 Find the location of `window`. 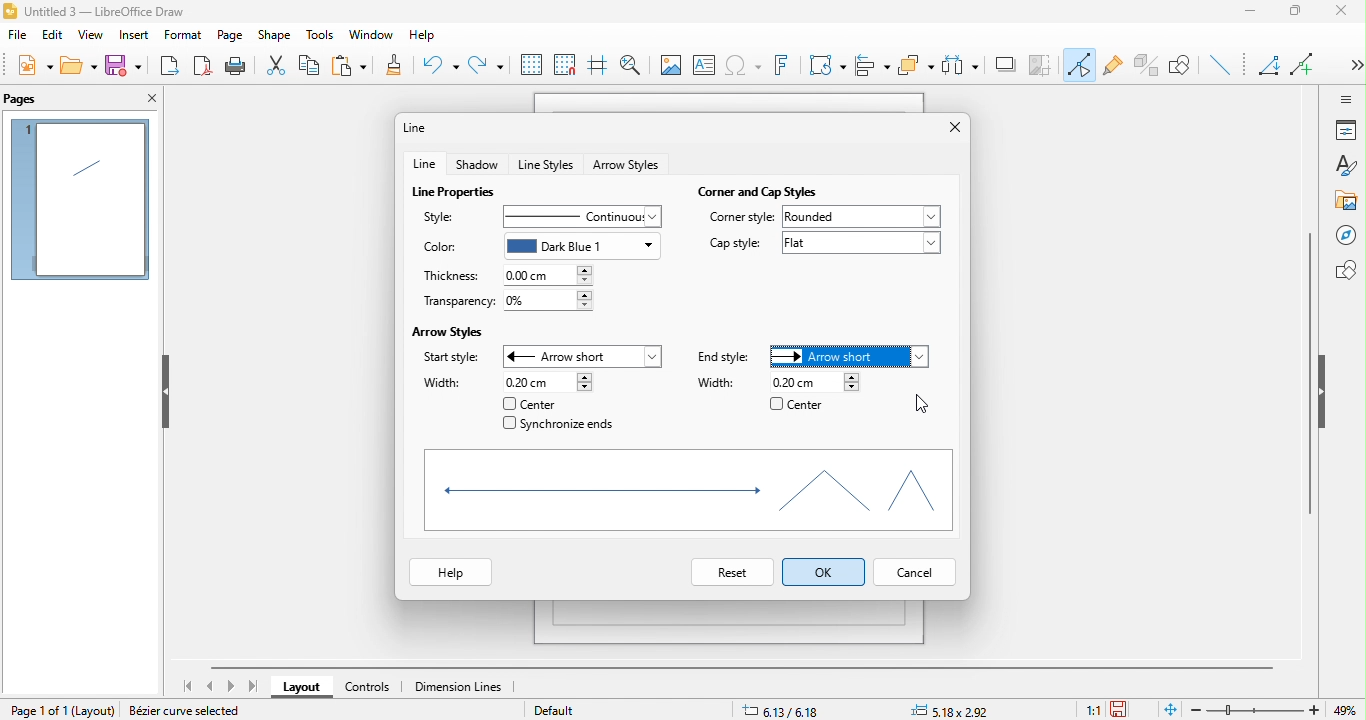

window is located at coordinates (368, 36).